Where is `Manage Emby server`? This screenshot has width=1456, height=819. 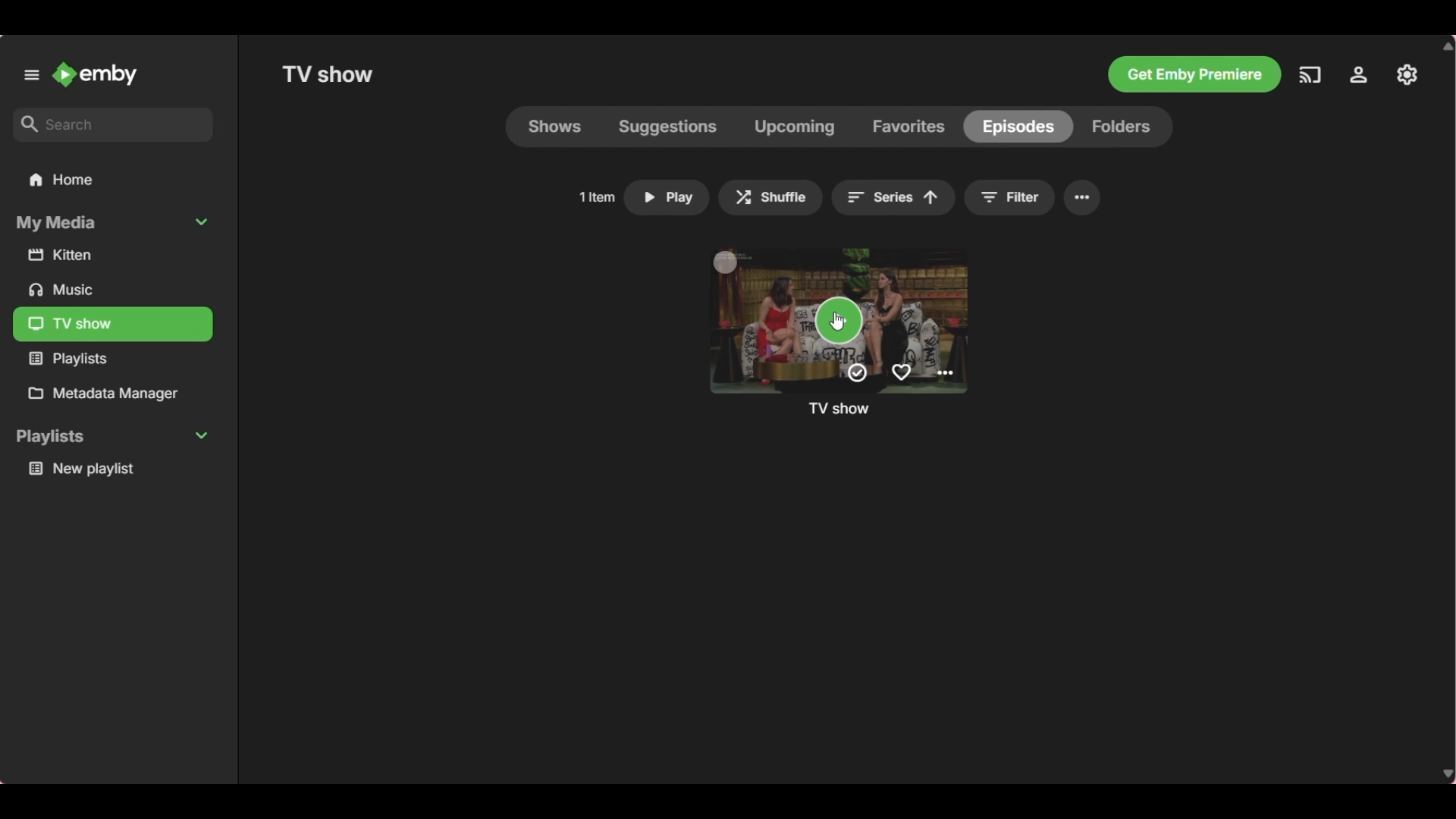 Manage Emby server is located at coordinates (1407, 75).